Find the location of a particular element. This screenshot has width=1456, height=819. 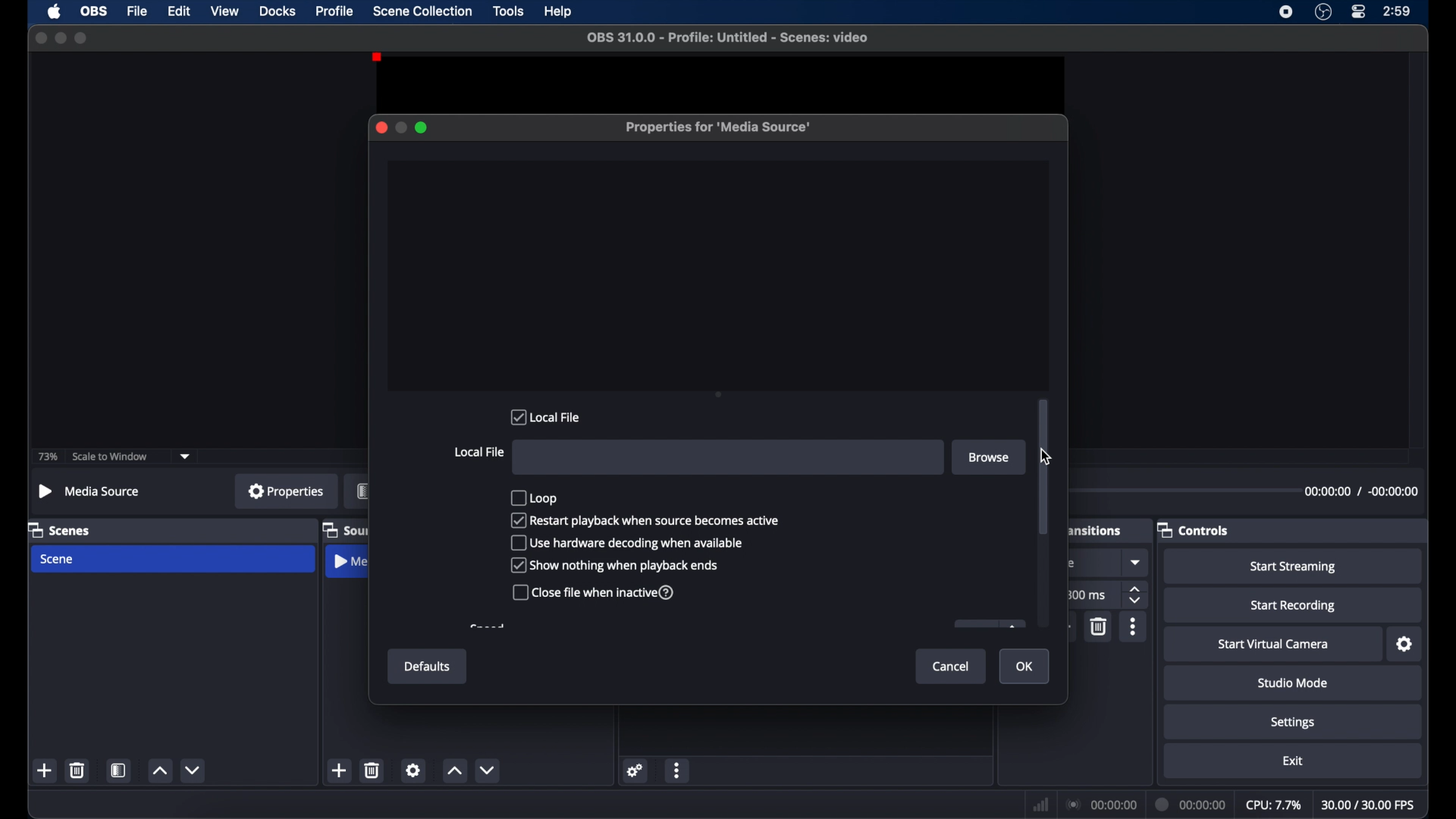

maximize is located at coordinates (81, 38).